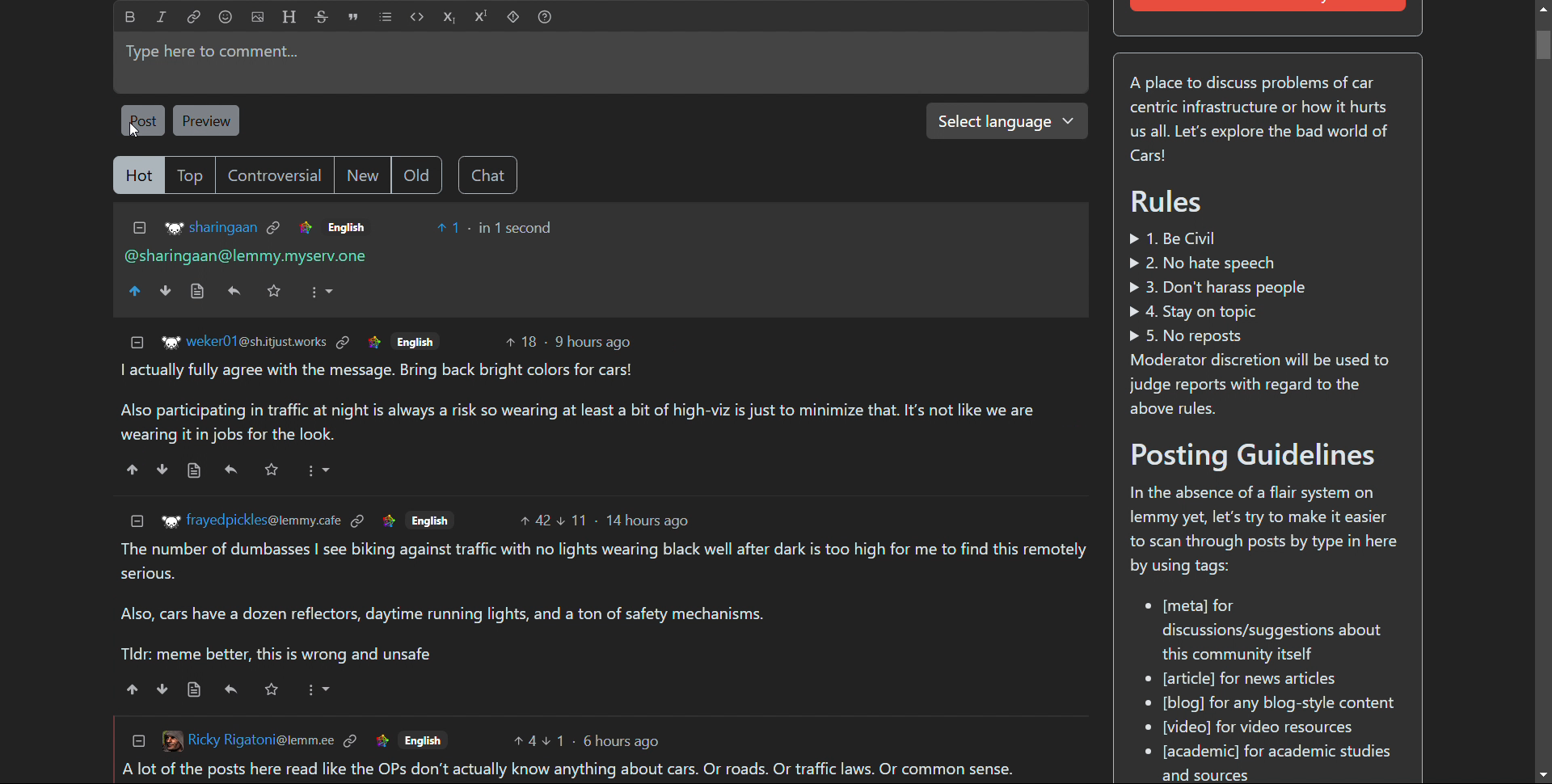 The image size is (1552, 784). Describe the element at coordinates (359, 521) in the screenshot. I see `link` at that location.